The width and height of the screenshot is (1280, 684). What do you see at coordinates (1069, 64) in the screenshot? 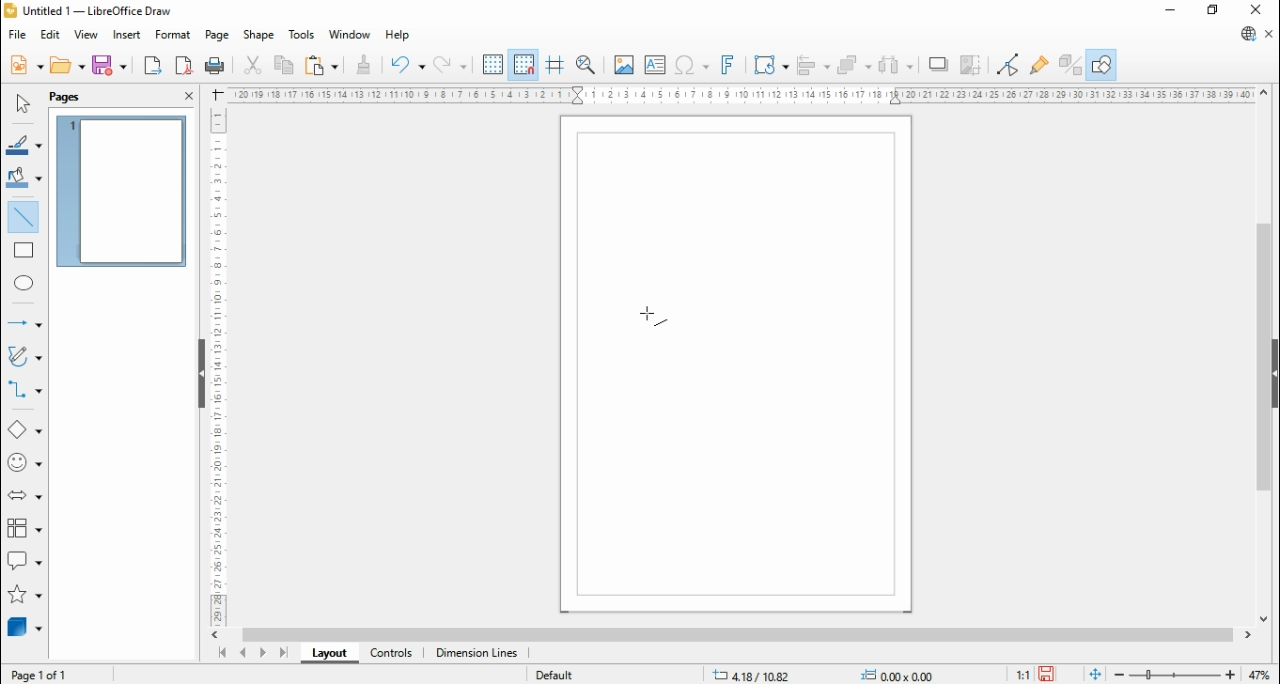
I see `toggle extrusions` at bounding box center [1069, 64].